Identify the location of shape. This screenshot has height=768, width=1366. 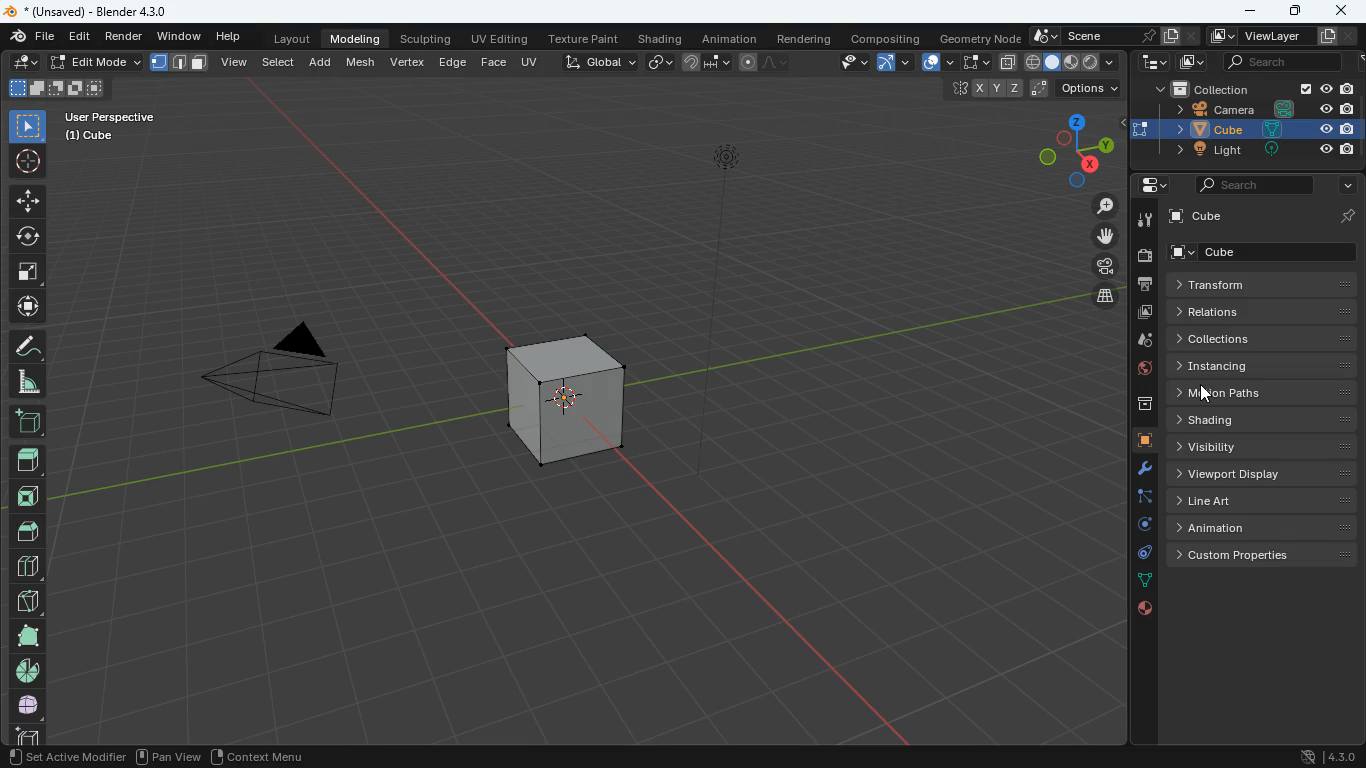
(56, 87).